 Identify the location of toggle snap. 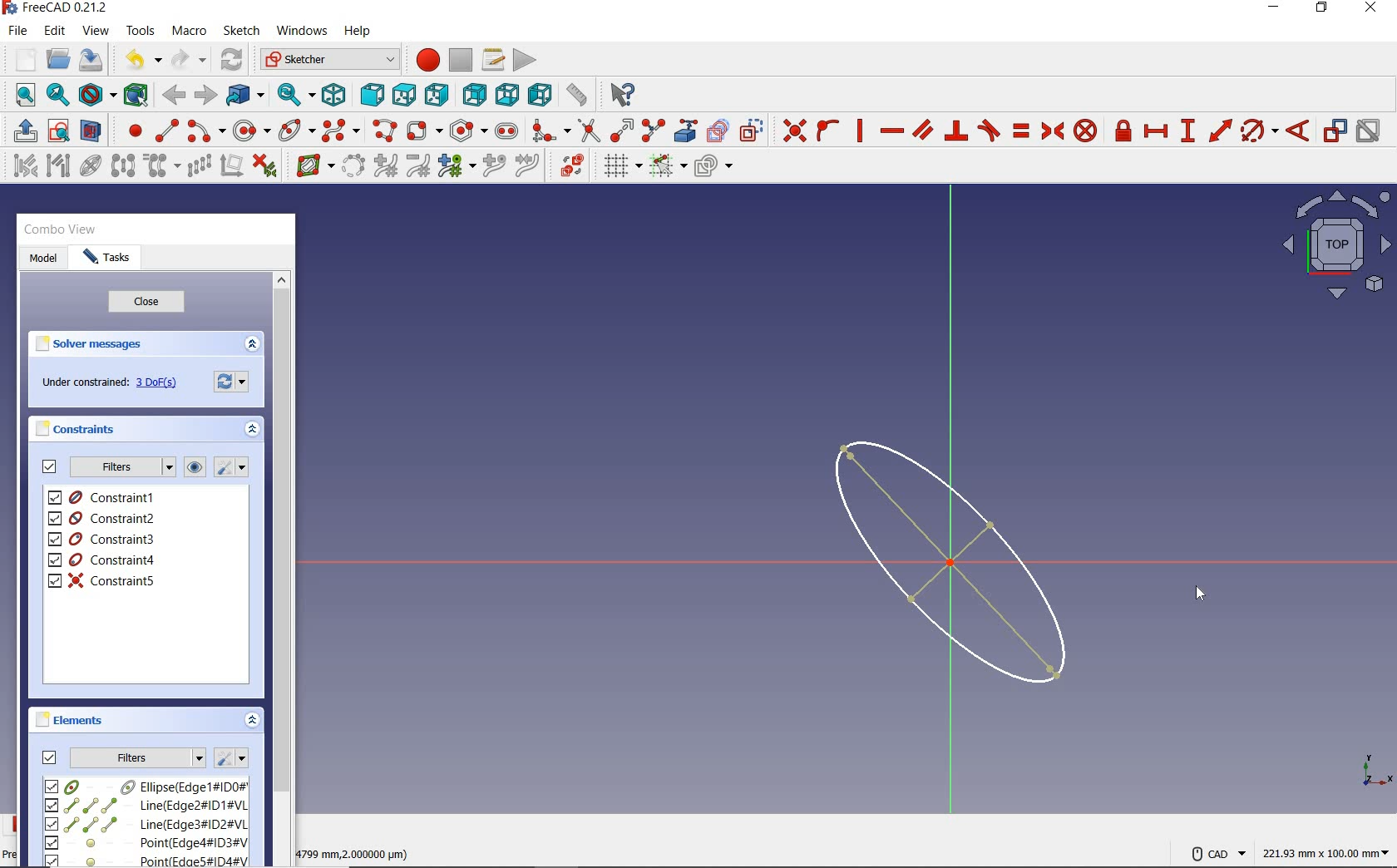
(667, 165).